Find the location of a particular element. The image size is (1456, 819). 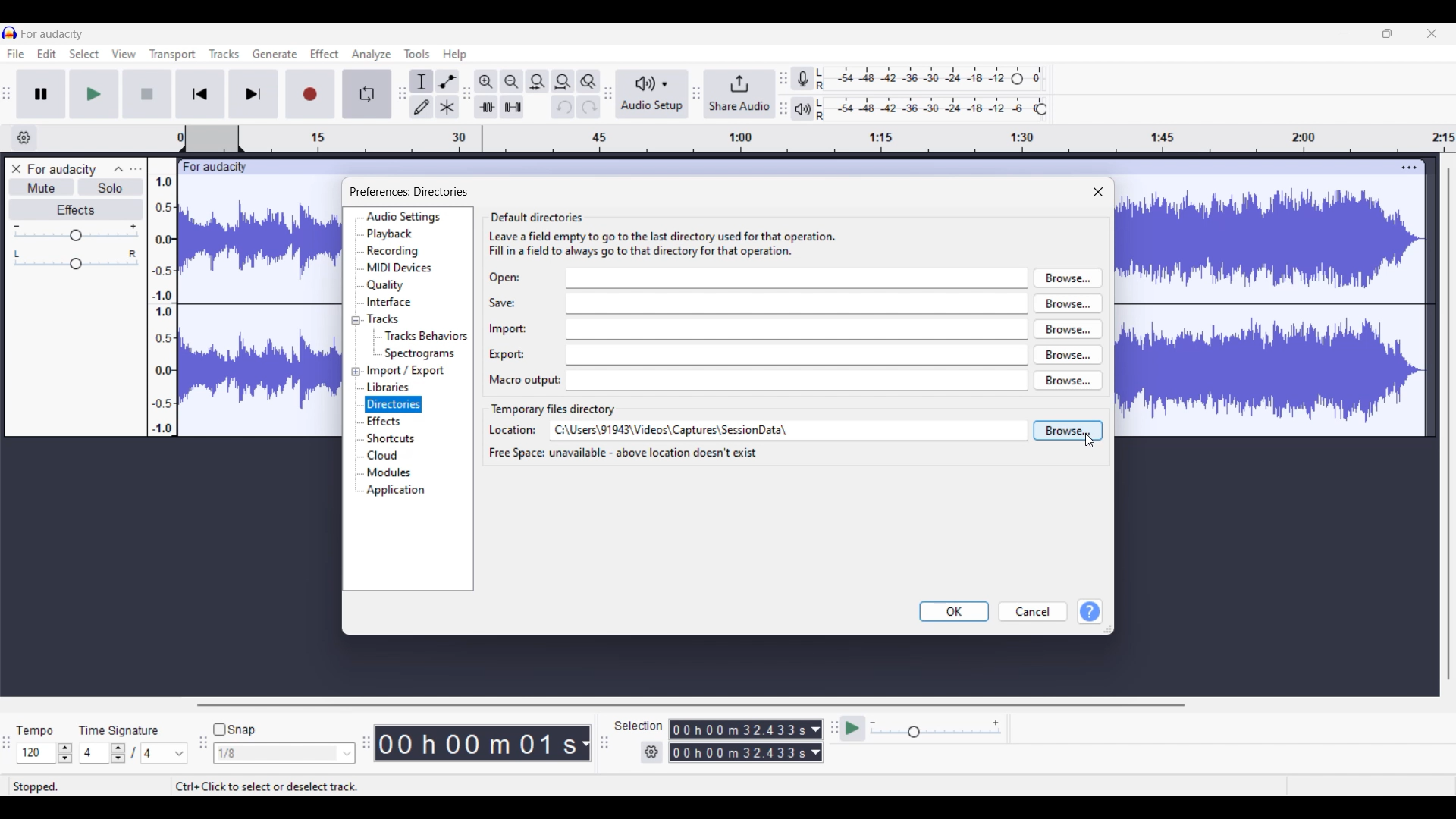

Play/Play once is located at coordinates (95, 94).